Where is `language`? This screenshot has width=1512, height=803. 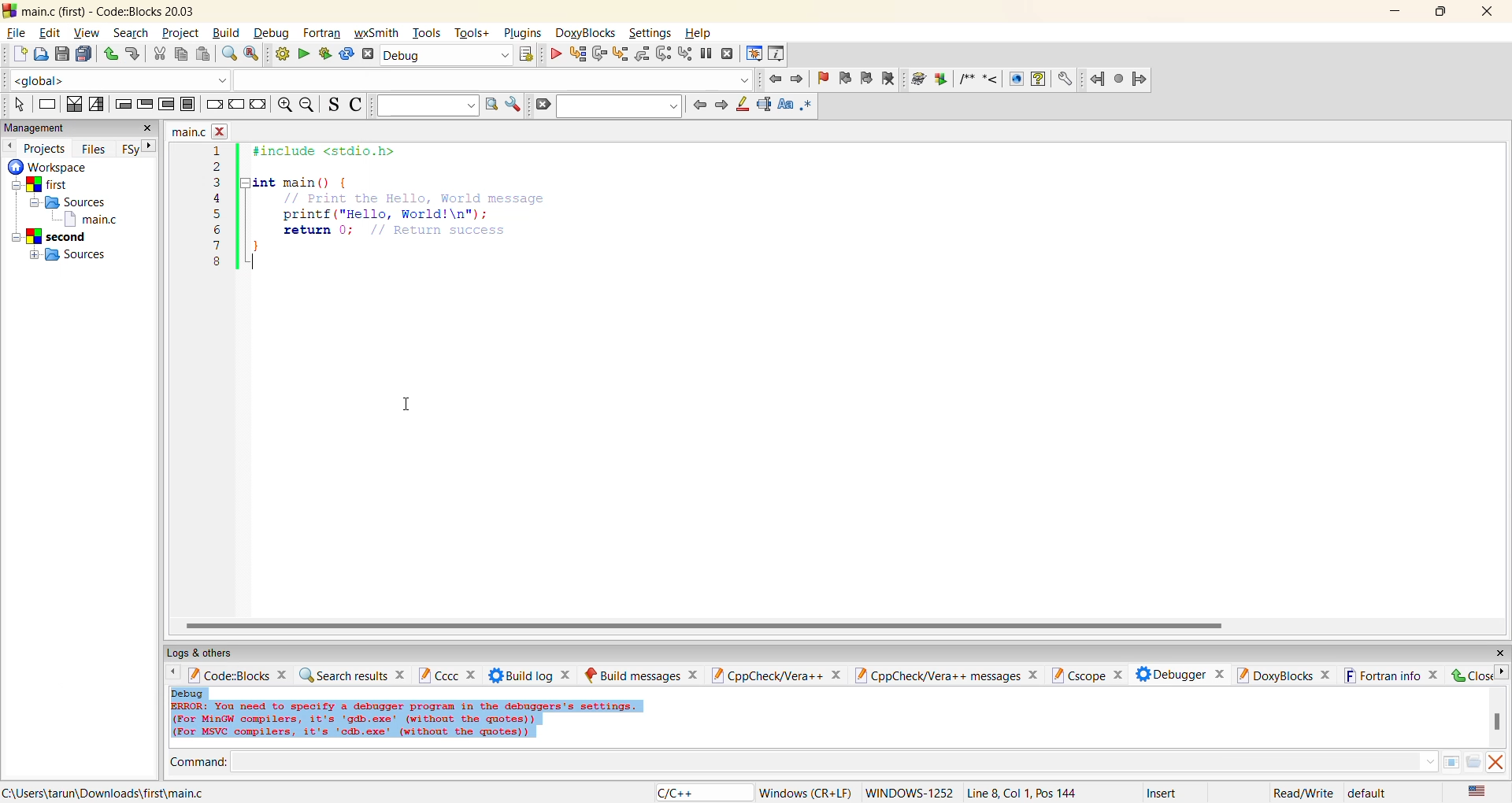 language is located at coordinates (702, 791).